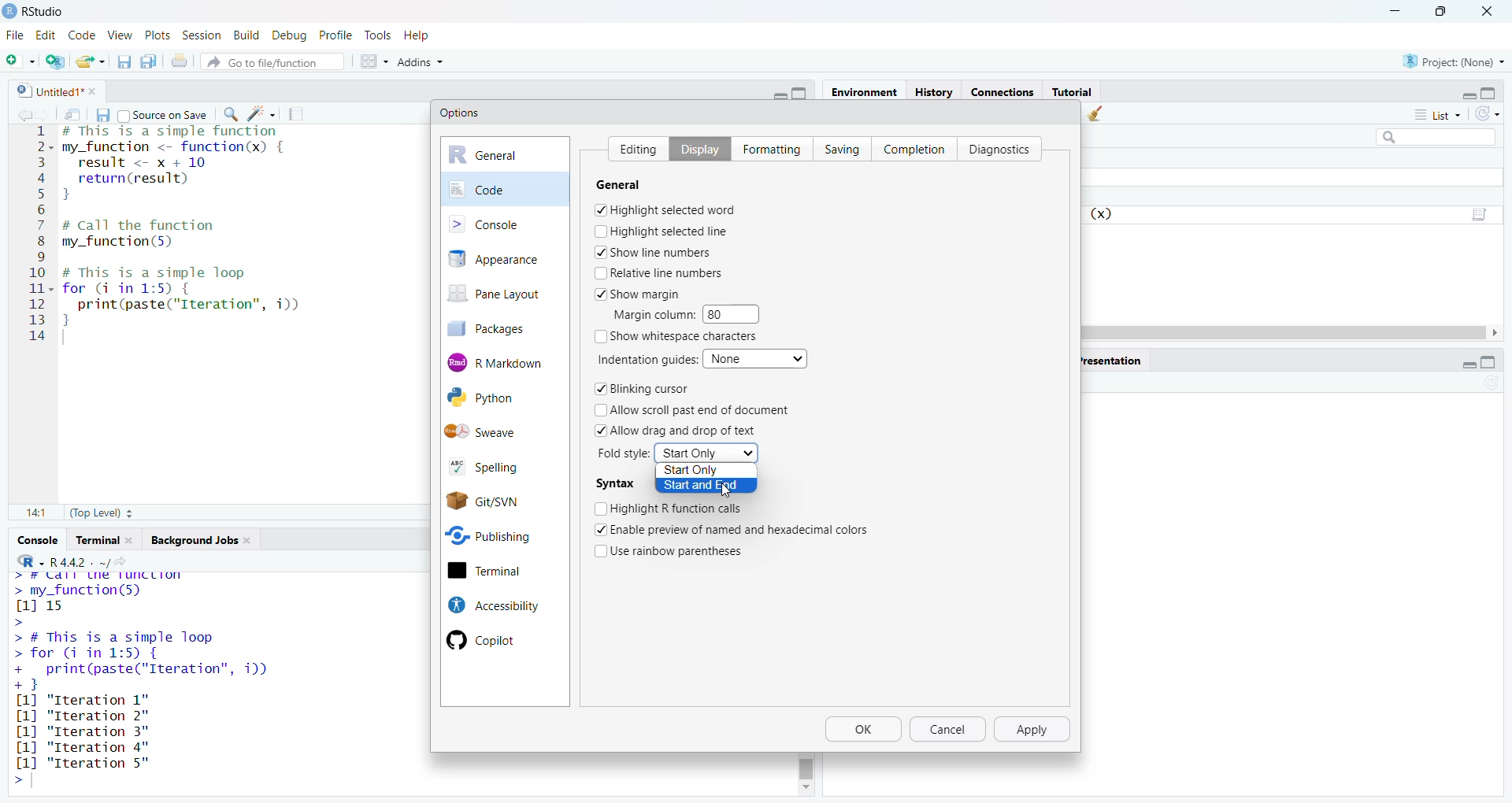  I want to click on workspace panes, so click(372, 60).